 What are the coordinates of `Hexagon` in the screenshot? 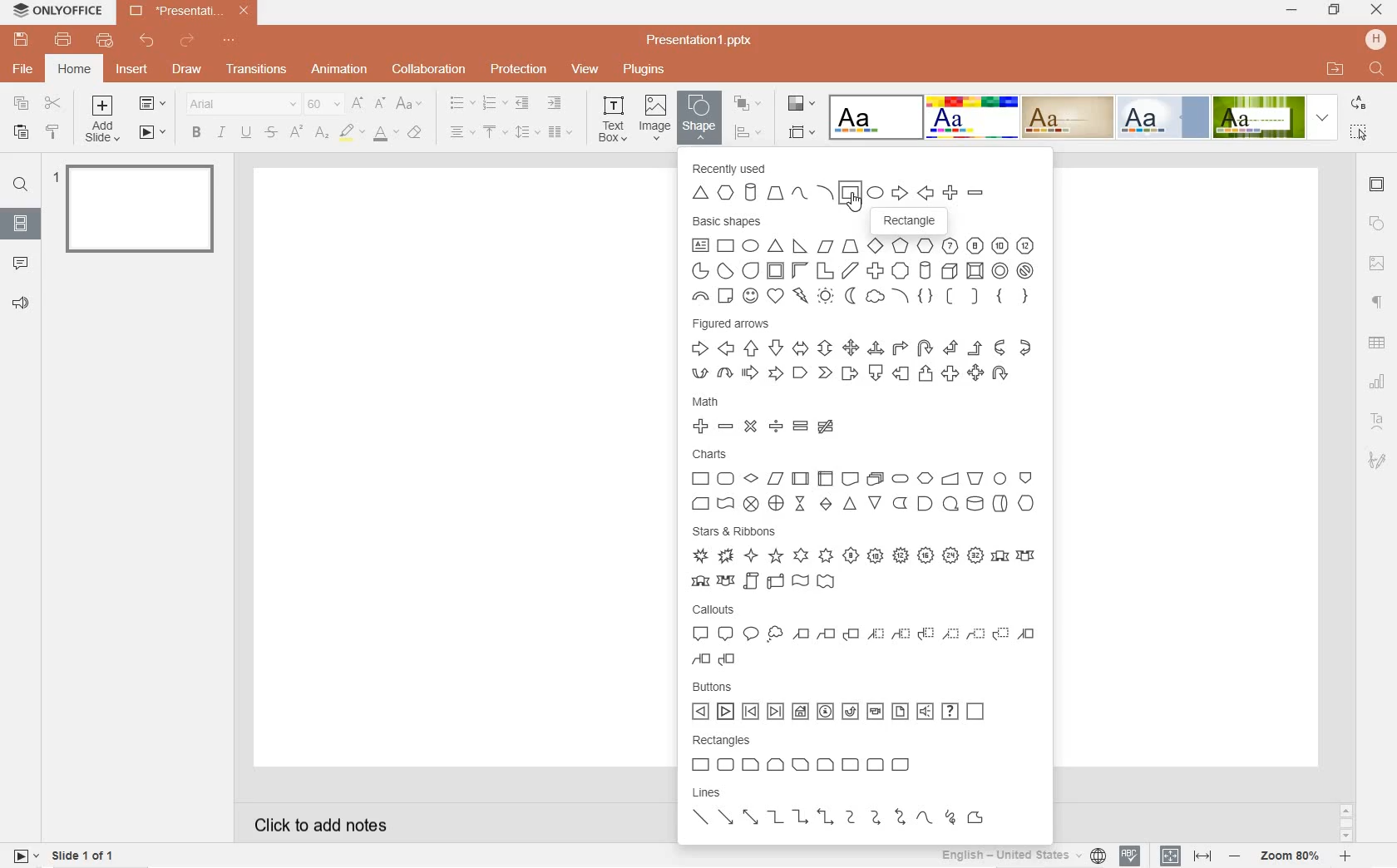 It's located at (925, 247).